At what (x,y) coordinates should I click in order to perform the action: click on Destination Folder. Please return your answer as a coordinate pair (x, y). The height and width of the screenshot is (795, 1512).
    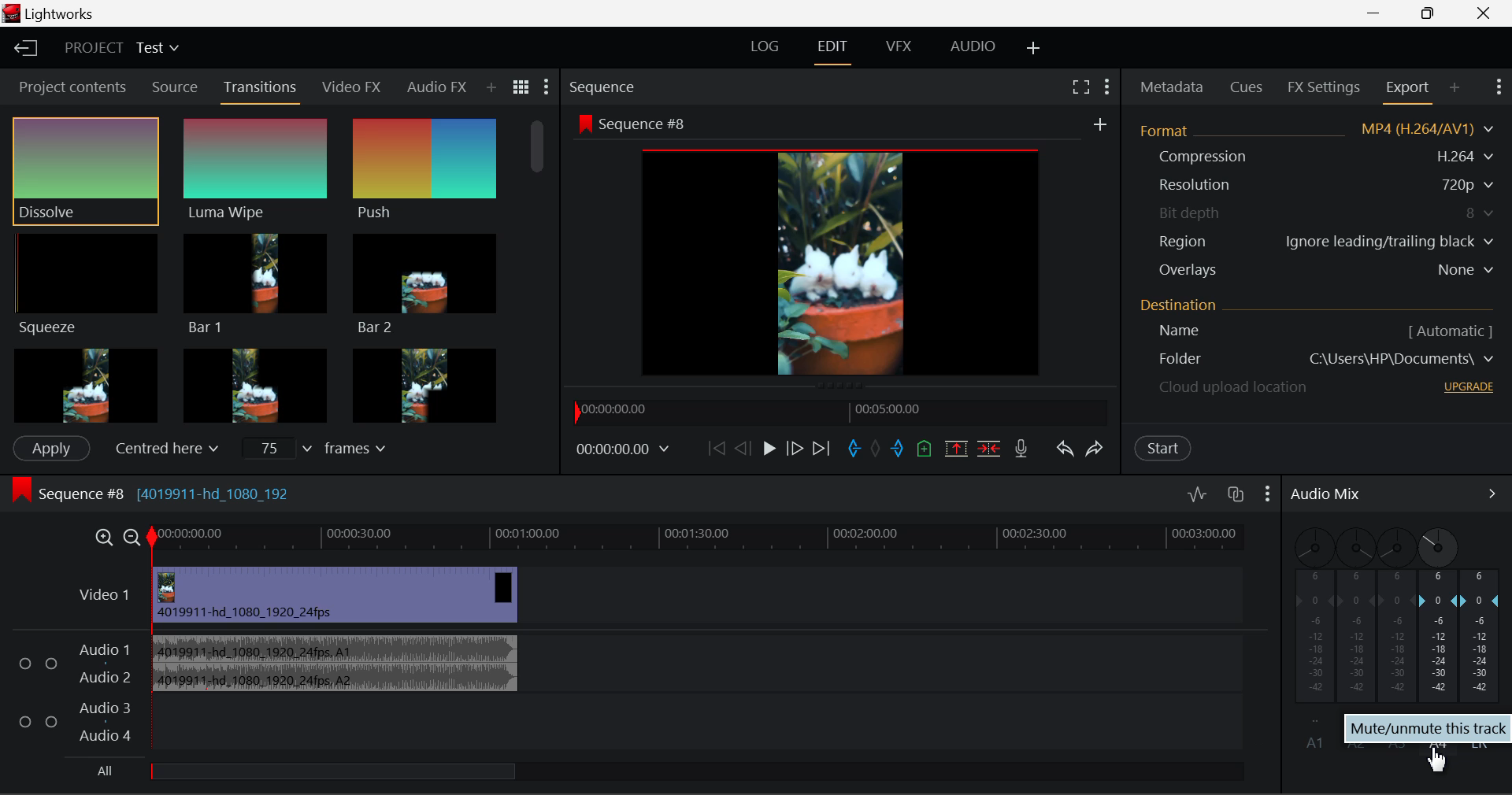
    Looking at the image, I should click on (1319, 360).